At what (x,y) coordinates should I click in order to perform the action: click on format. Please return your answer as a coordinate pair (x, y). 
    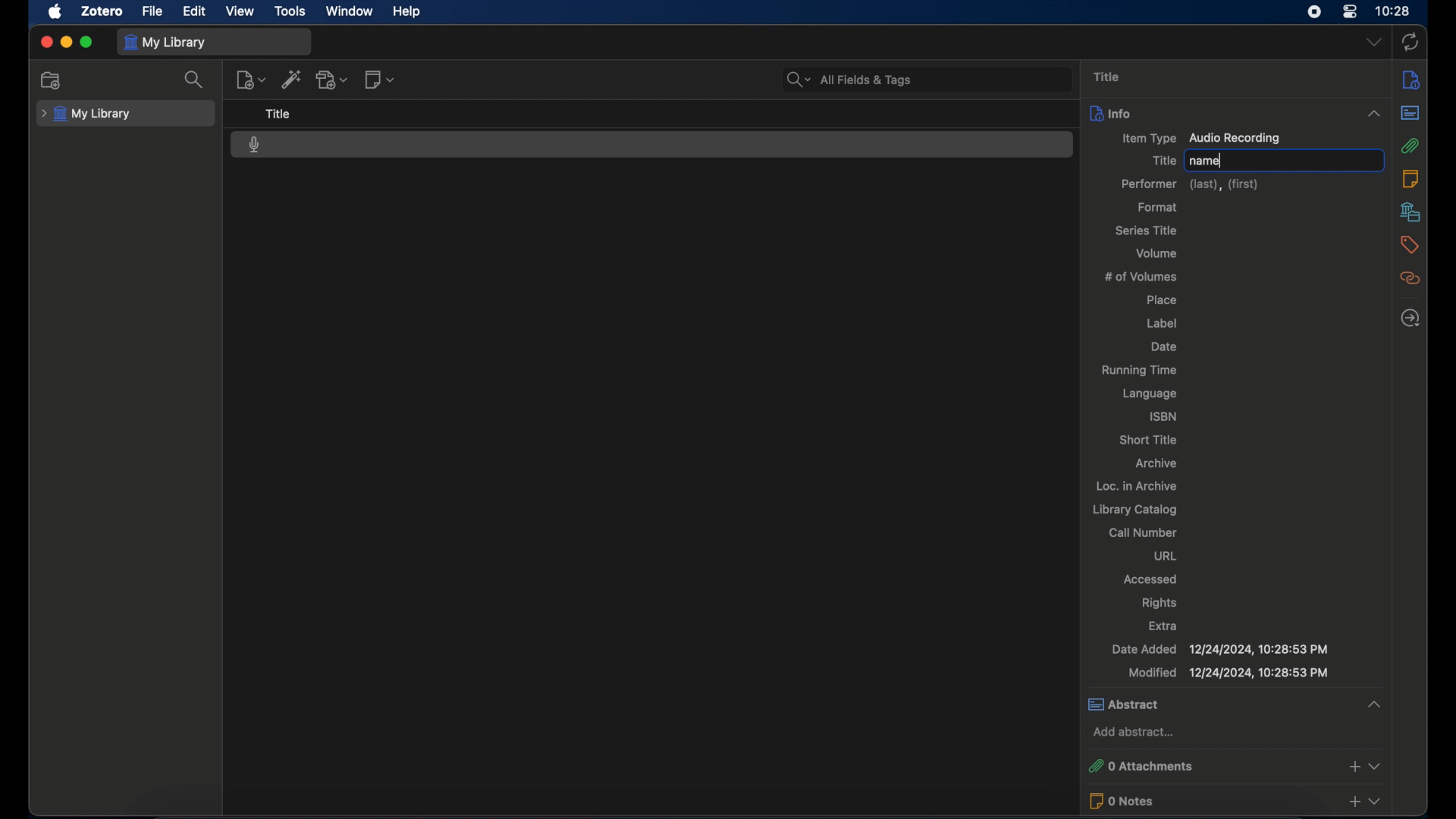
    Looking at the image, I should click on (1159, 207).